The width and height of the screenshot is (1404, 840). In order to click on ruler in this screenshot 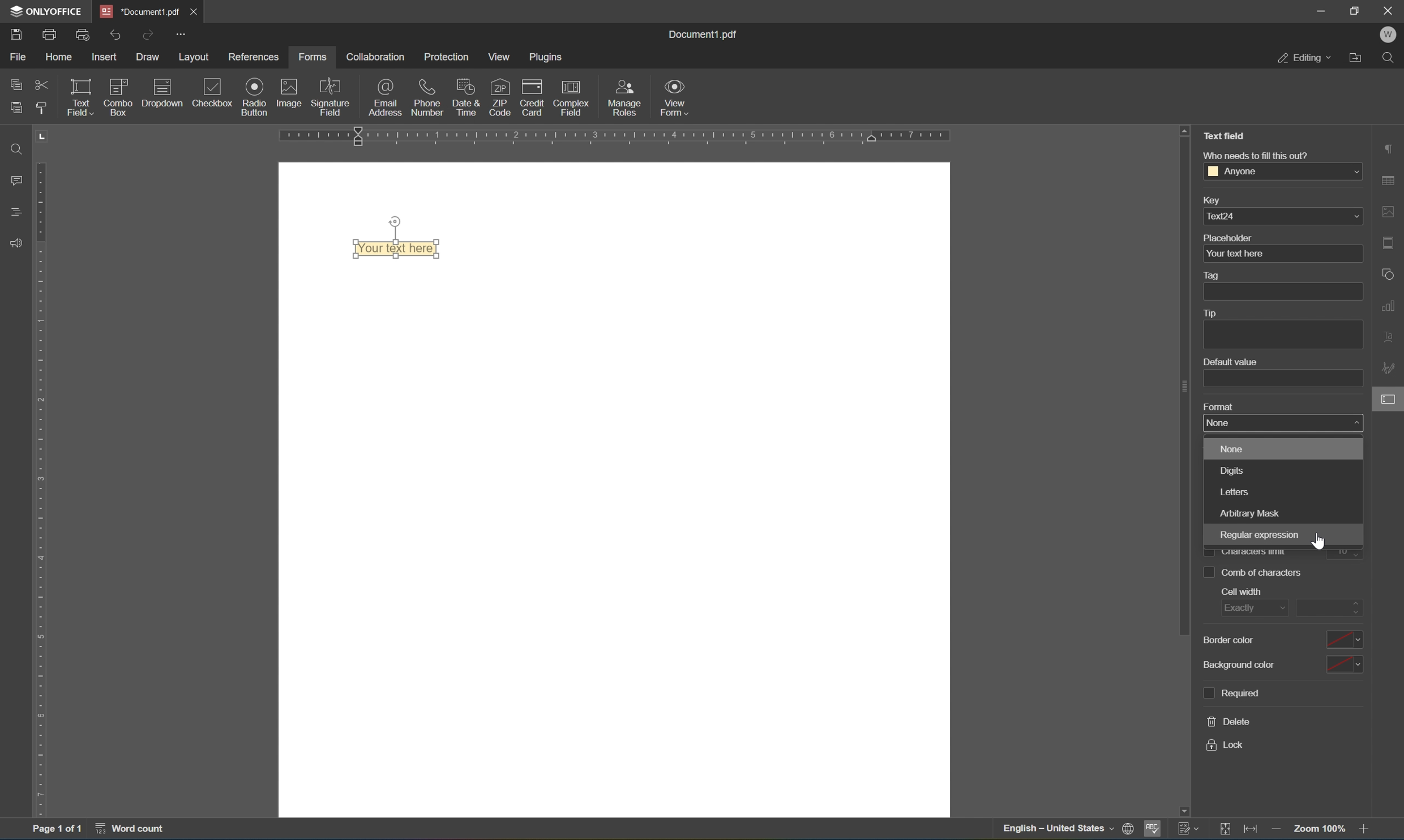, I will do `click(44, 488)`.